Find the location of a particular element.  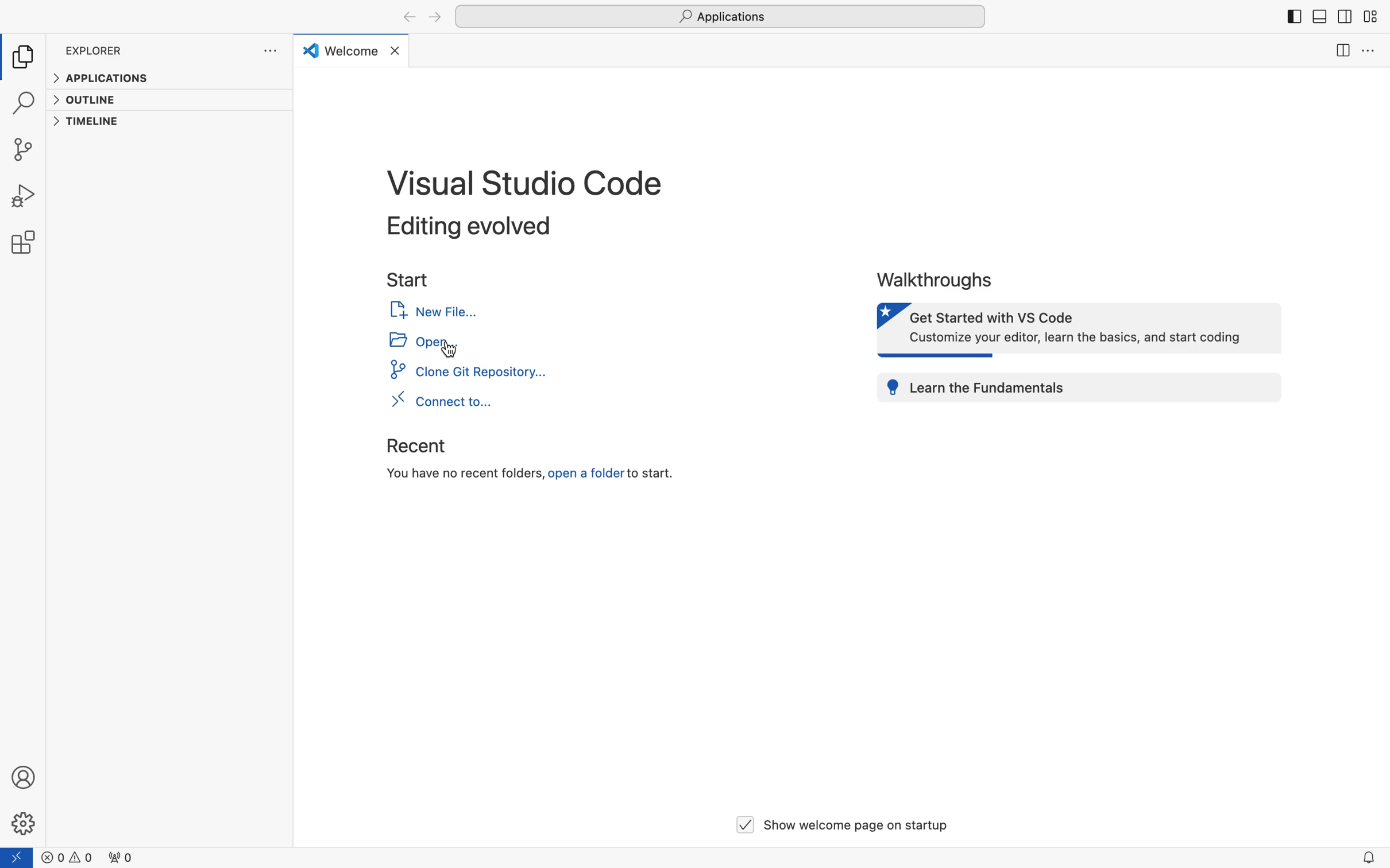

clone git repository is located at coordinates (471, 373).